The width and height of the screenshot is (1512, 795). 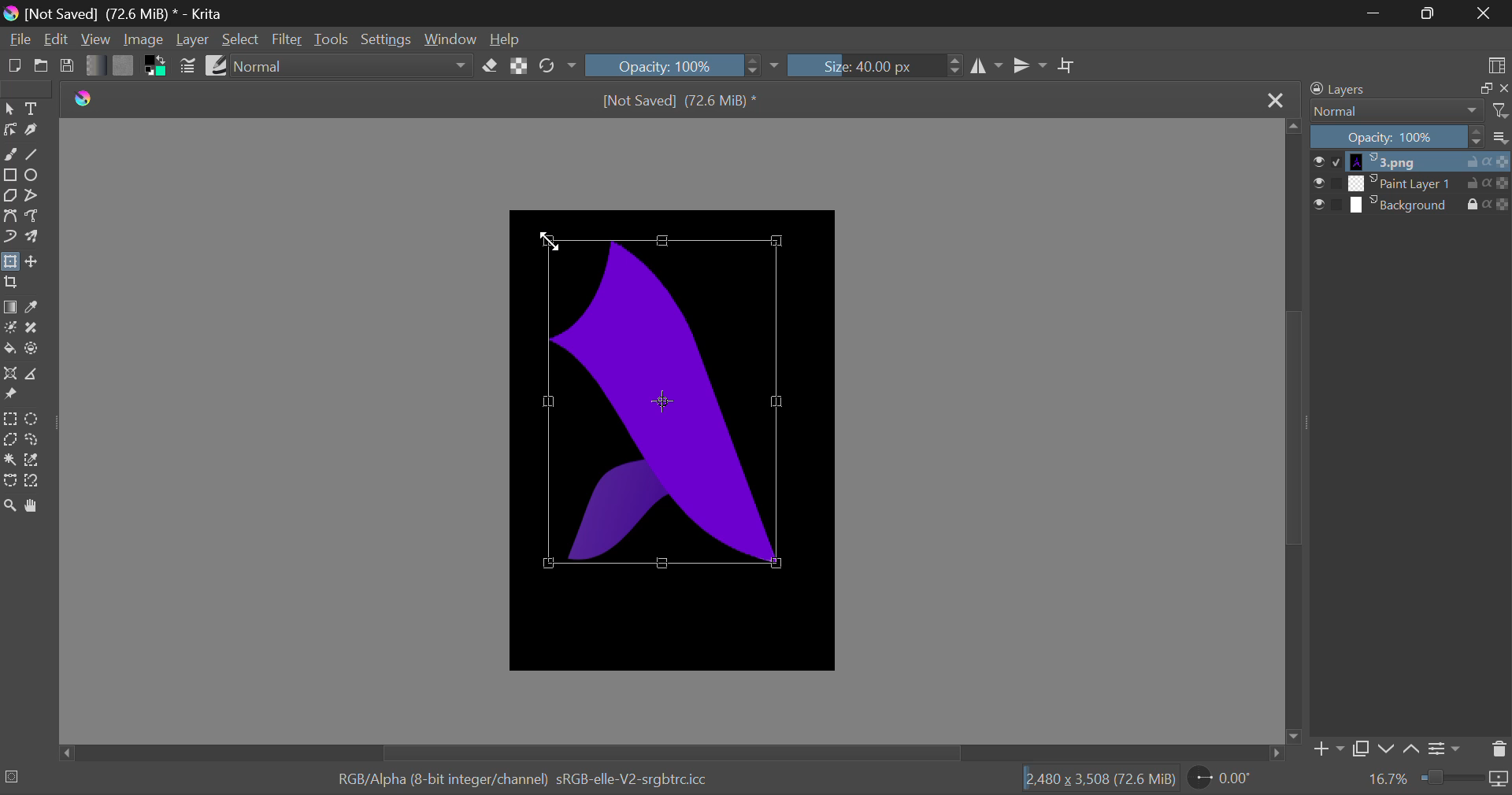 I want to click on more options, so click(x=1499, y=139).